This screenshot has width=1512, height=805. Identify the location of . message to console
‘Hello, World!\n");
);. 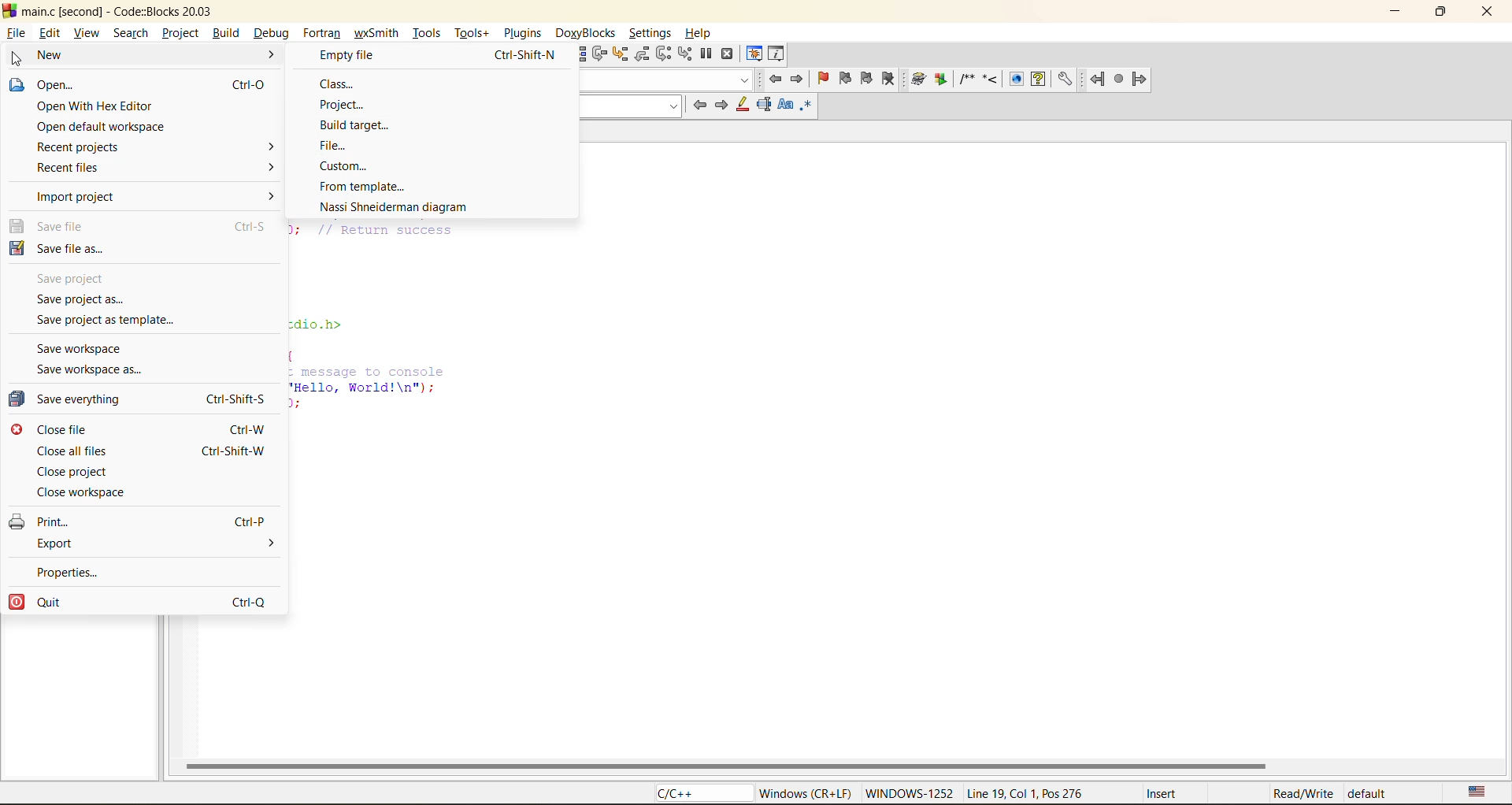
(371, 390).